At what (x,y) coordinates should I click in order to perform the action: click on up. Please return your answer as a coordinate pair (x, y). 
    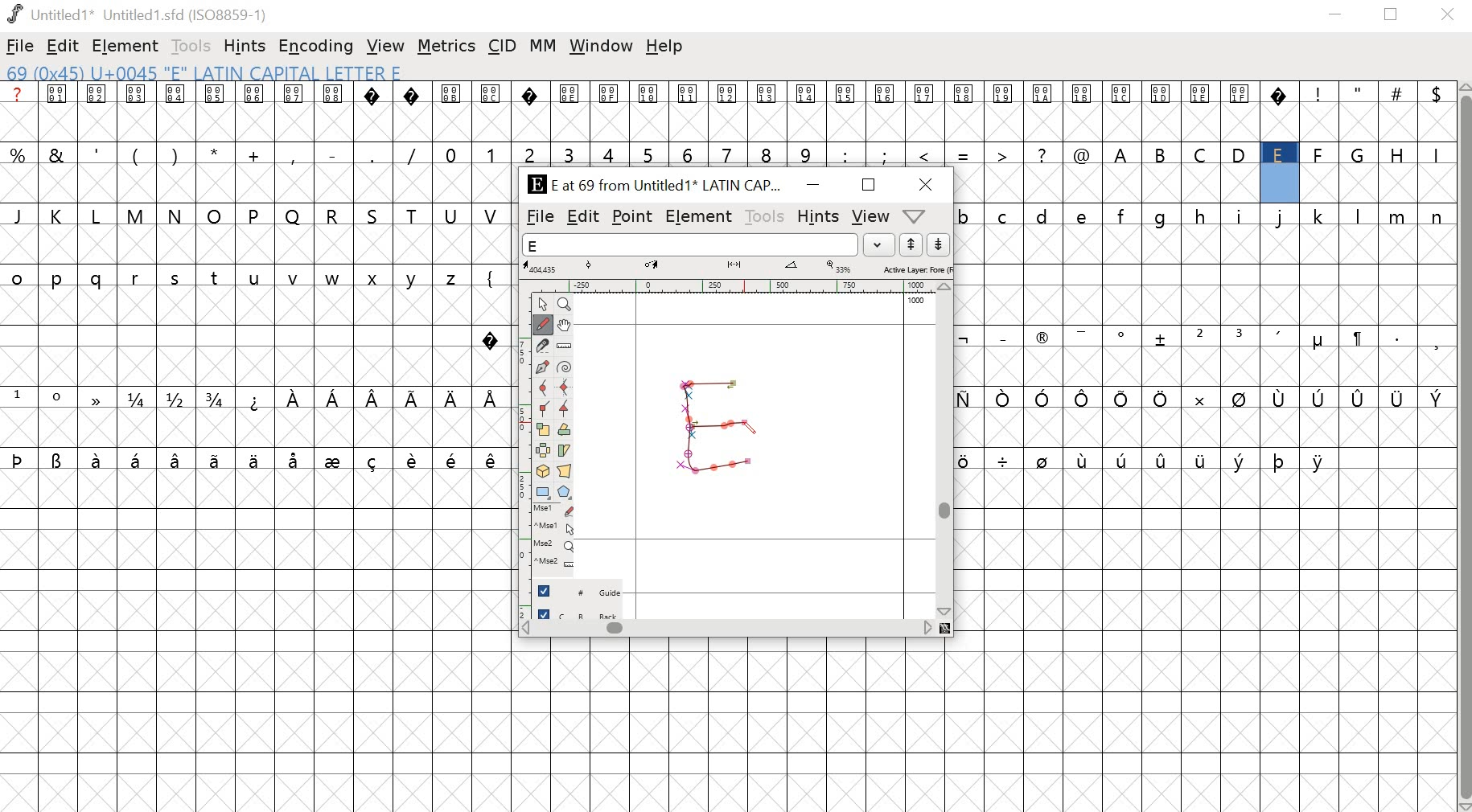
    Looking at the image, I should click on (911, 244).